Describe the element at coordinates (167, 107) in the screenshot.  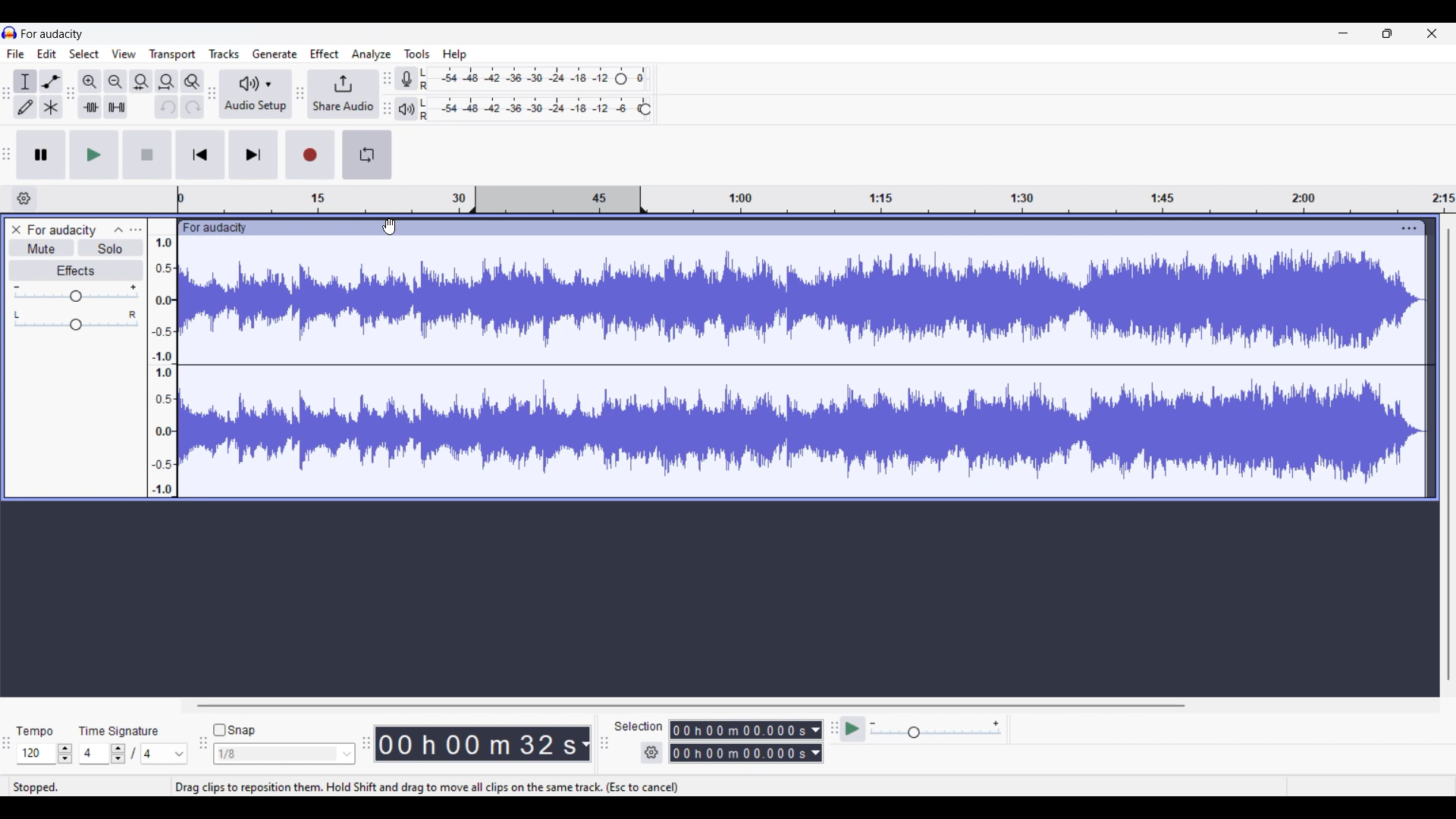
I see `Undo` at that location.